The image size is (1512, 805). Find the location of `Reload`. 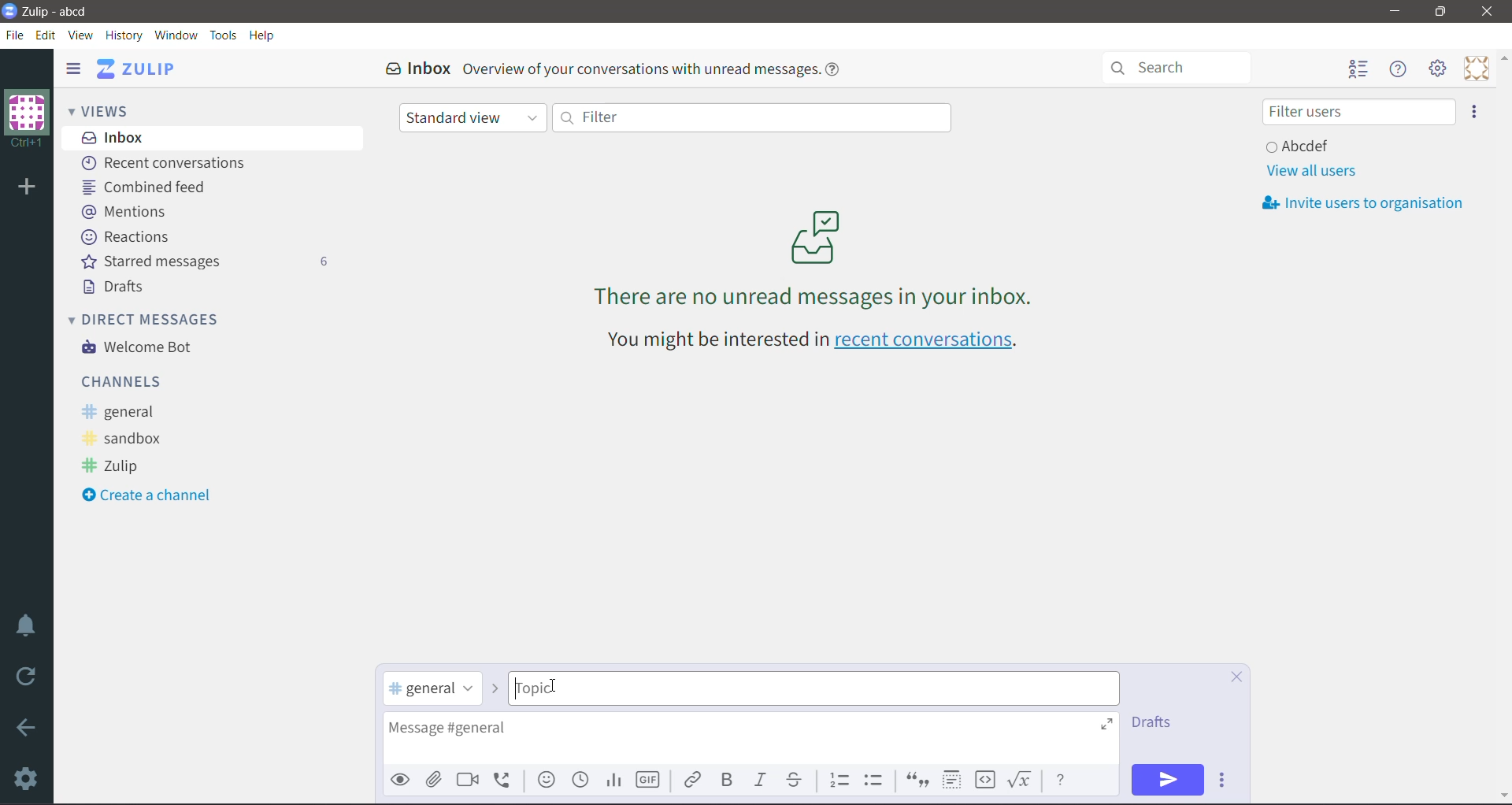

Reload is located at coordinates (29, 677).